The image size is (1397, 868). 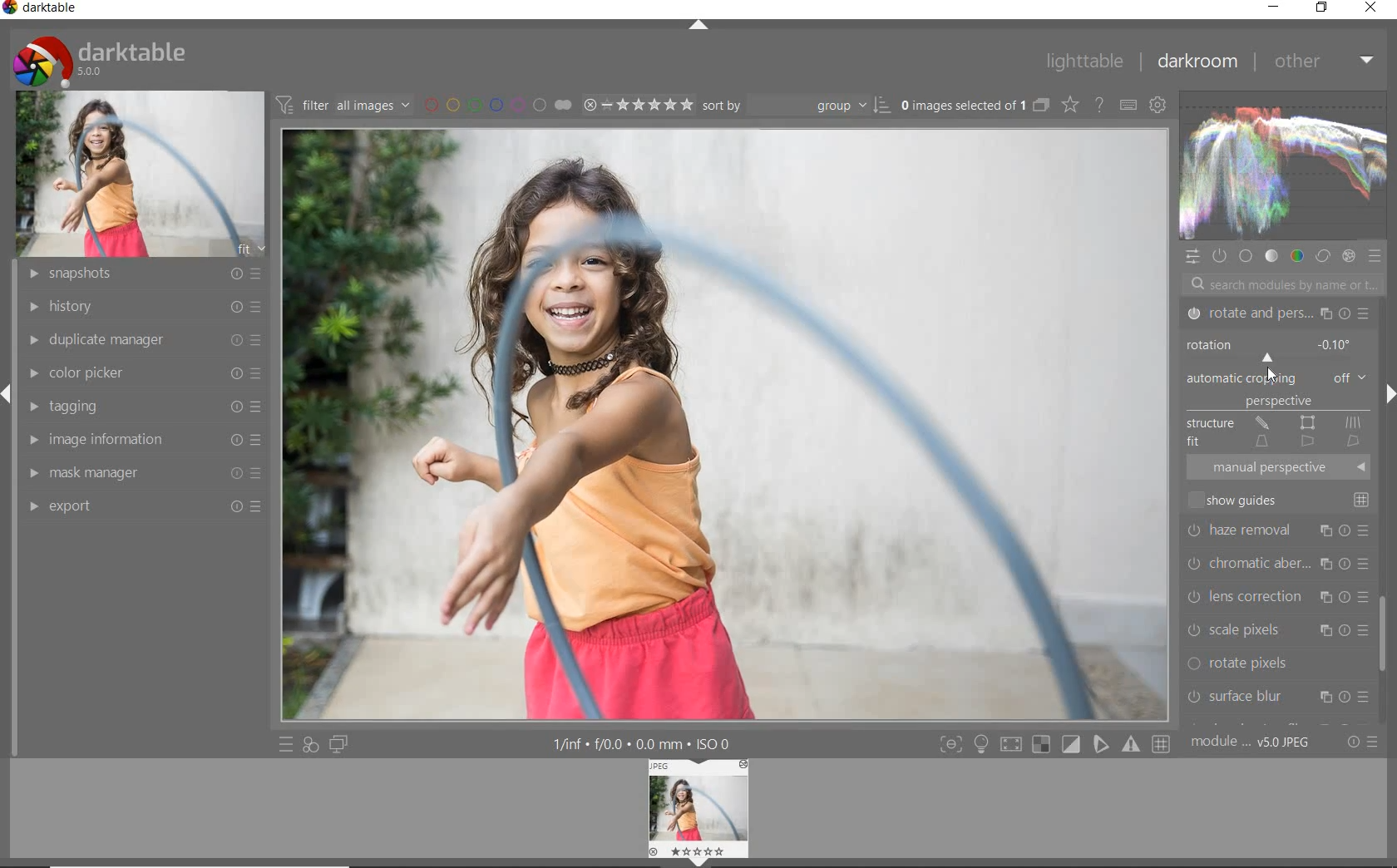 I want to click on lens correction, so click(x=1277, y=594).